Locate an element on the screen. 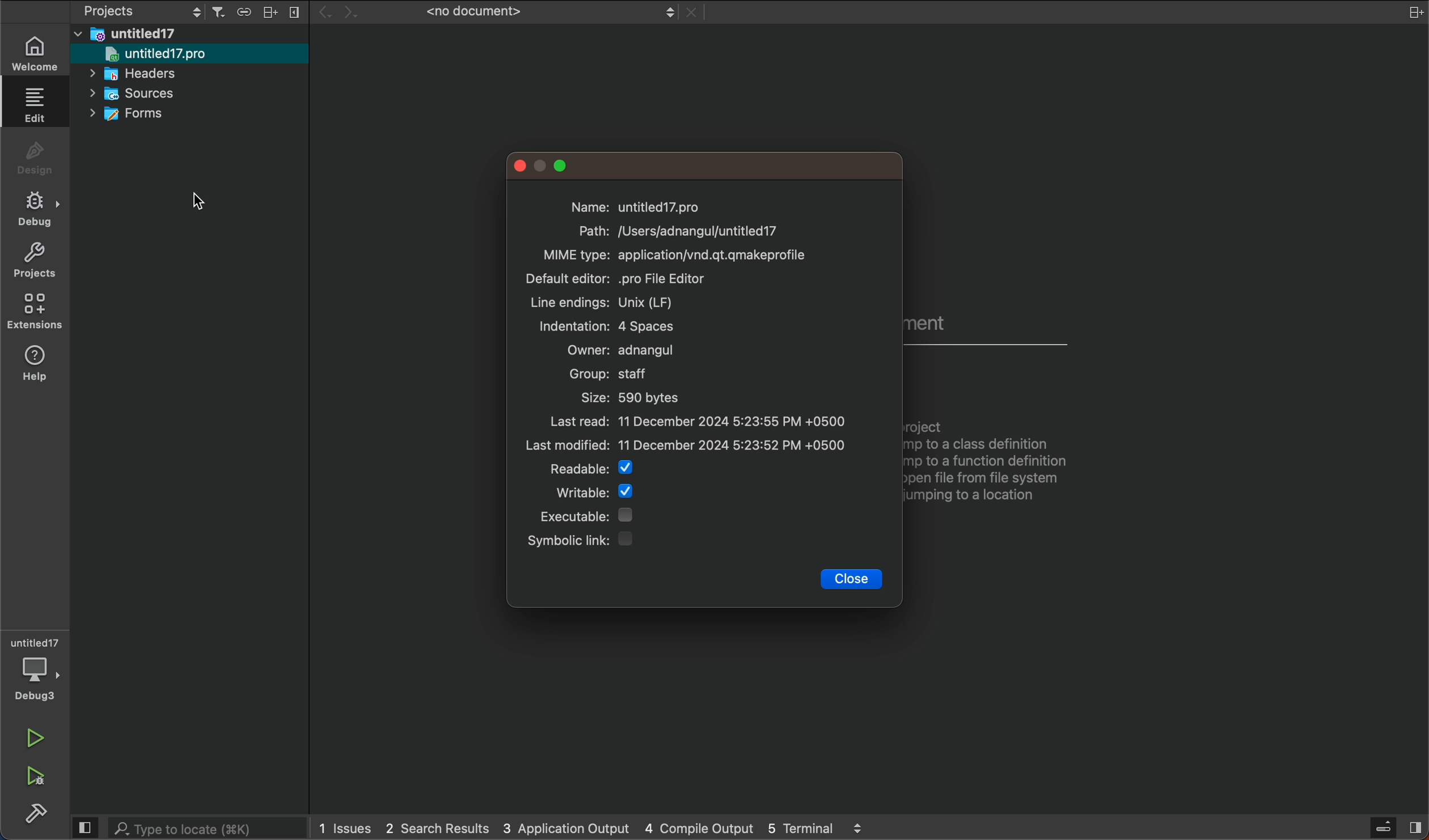 The height and width of the screenshot is (840, 1429). executable is located at coordinates (585, 516).